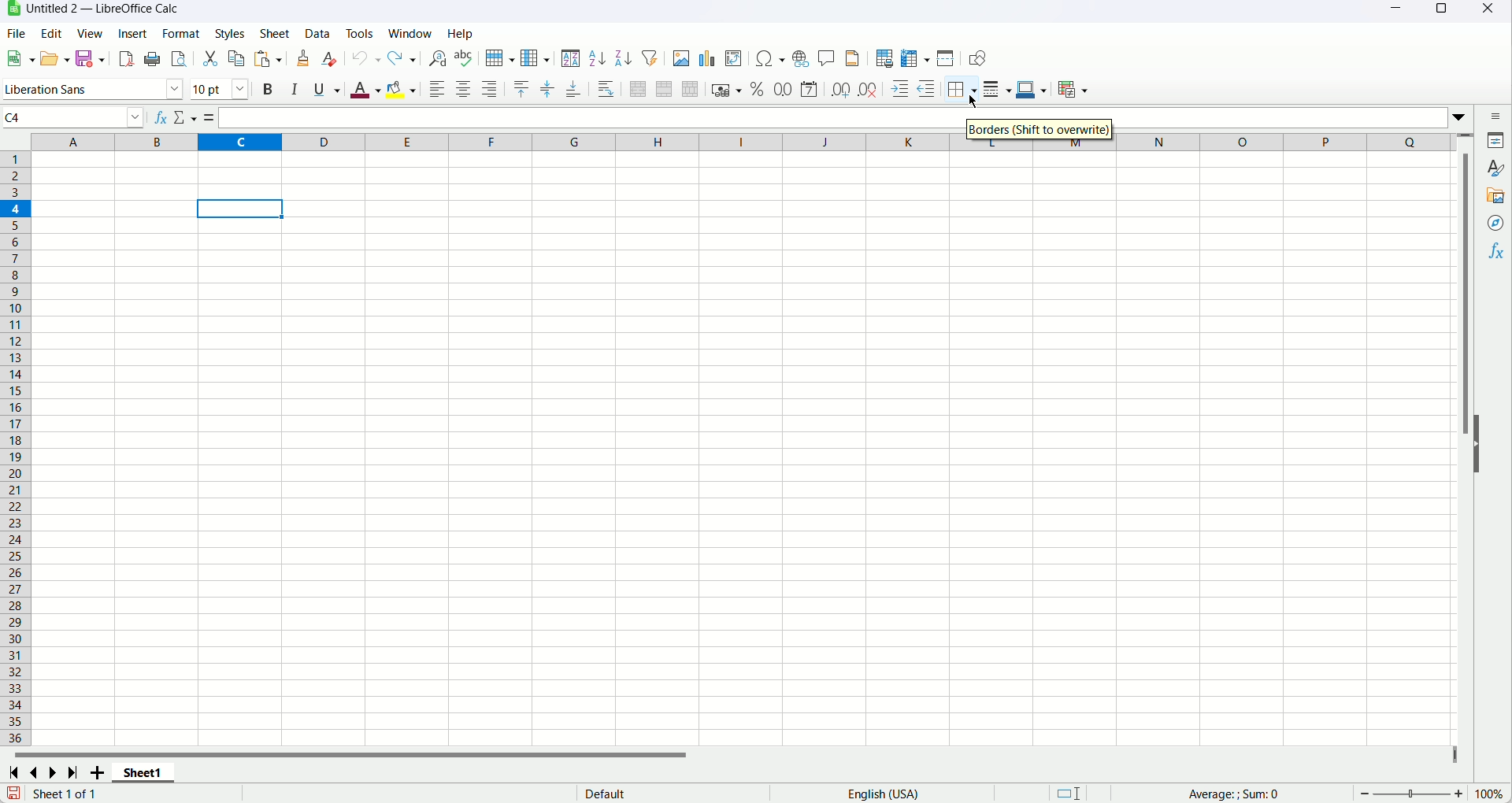 Image resolution: width=1512 pixels, height=803 pixels. Describe the element at coordinates (691, 89) in the screenshot. I see `Unmerge cells` at that location.